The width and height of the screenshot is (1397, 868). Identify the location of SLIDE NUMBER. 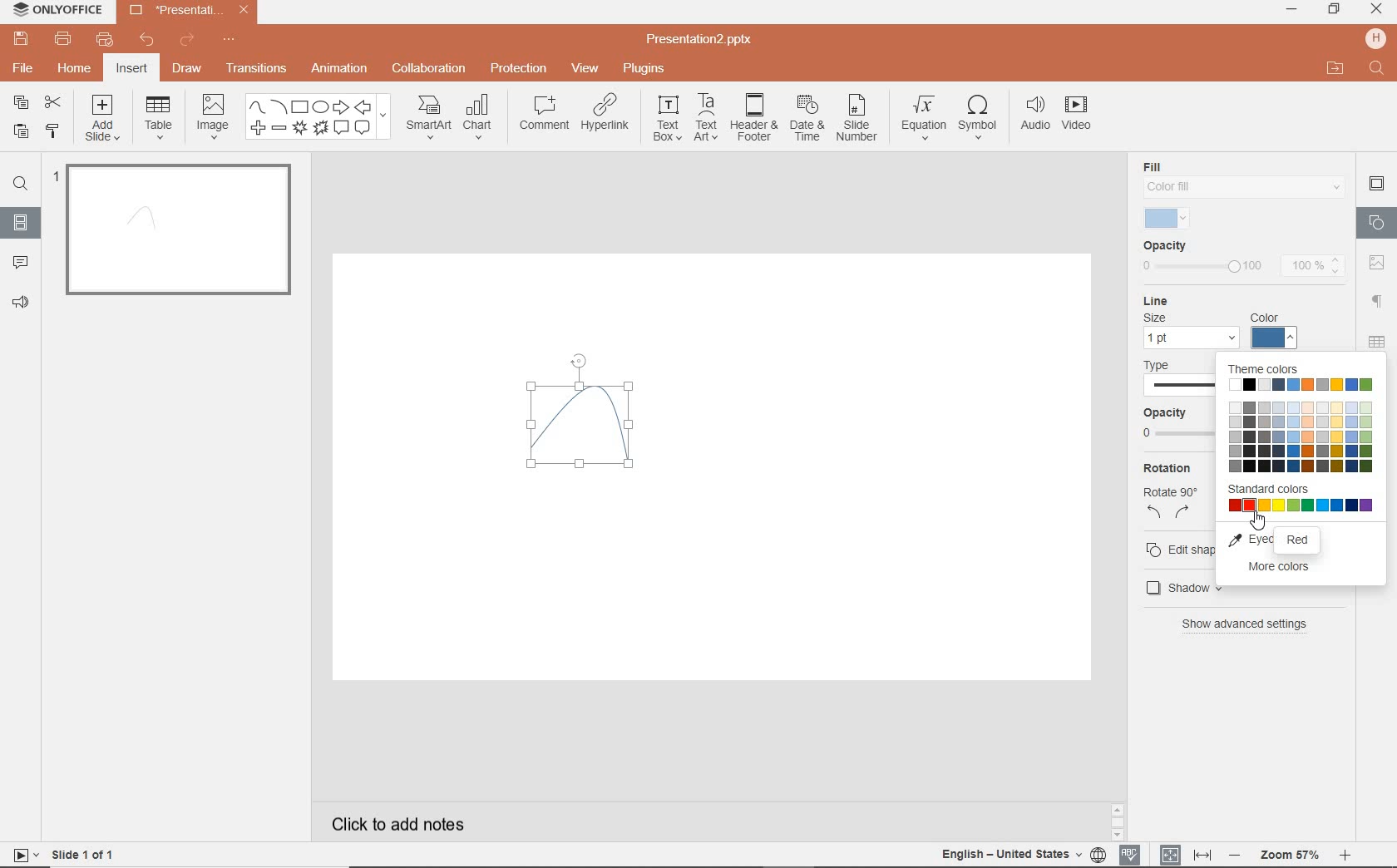
(857, 122).